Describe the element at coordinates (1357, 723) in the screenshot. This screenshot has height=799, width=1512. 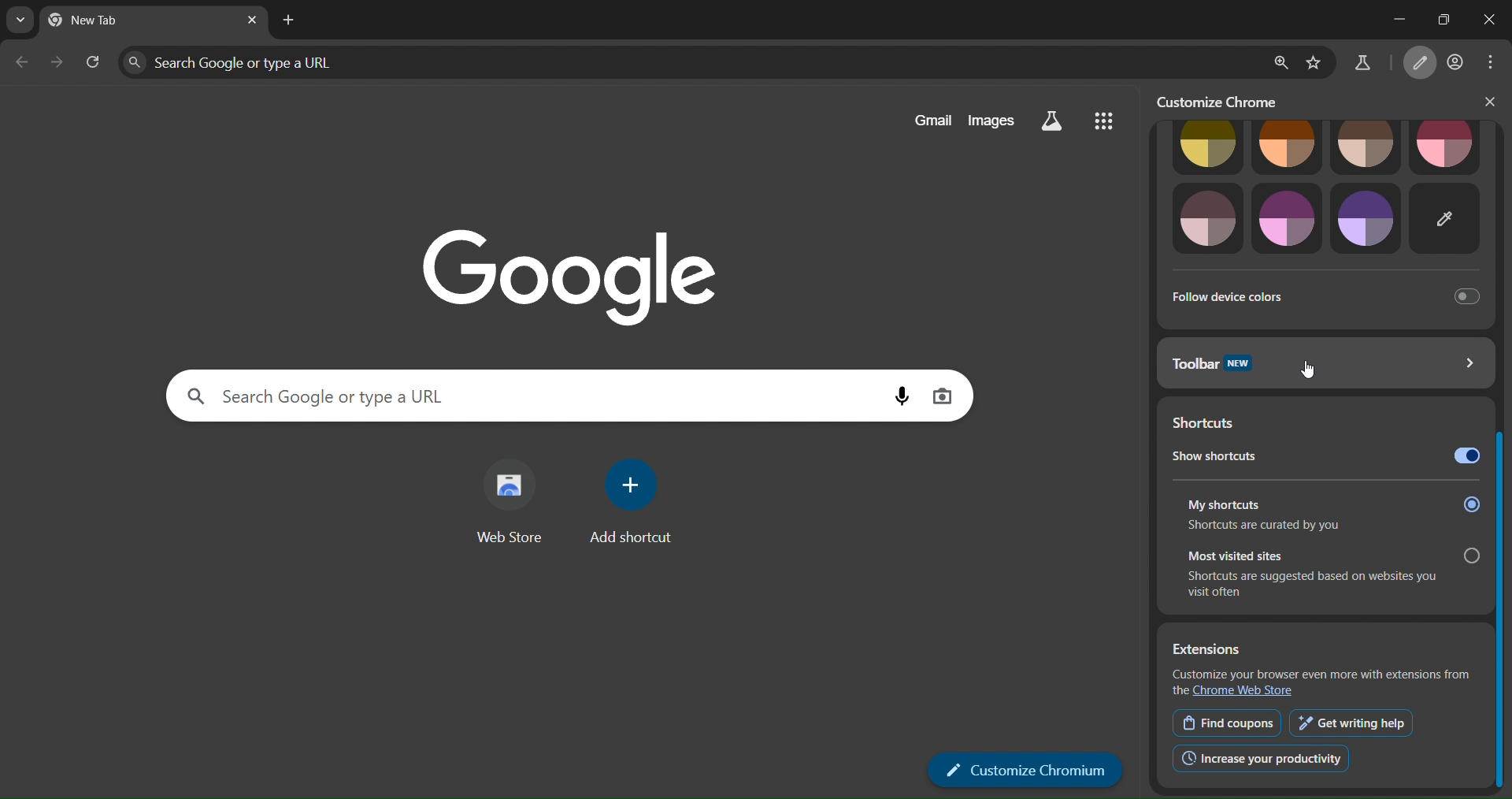
I see `get writing help` at that location.